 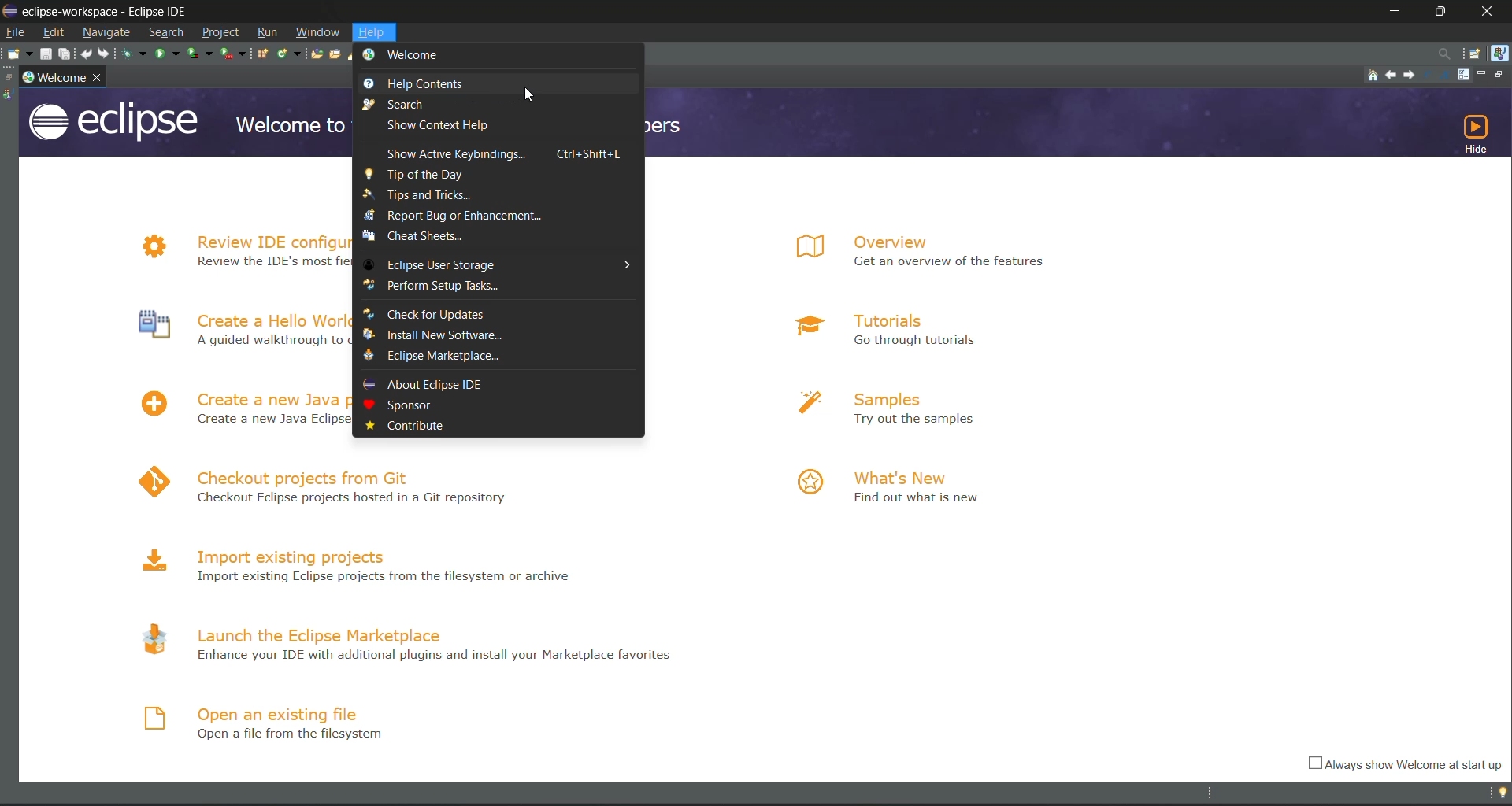 What do you see at coordinates (1404, 762) in the screenshot?
I see `Always show welcome at start up` at bounding box center [1404, 762].